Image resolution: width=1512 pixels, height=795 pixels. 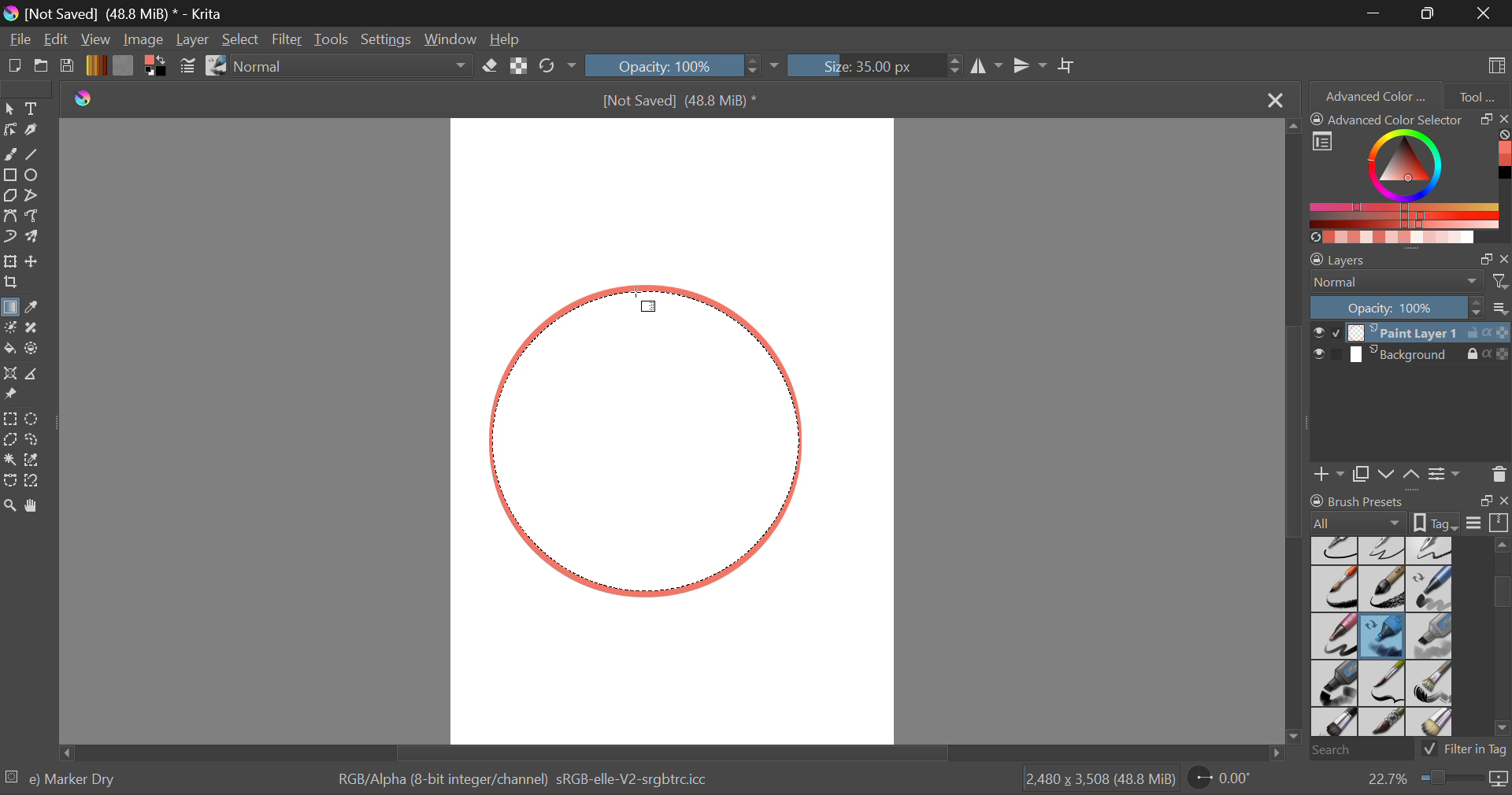 I want to click on Blending Mode, so click(x=1410, y=282).